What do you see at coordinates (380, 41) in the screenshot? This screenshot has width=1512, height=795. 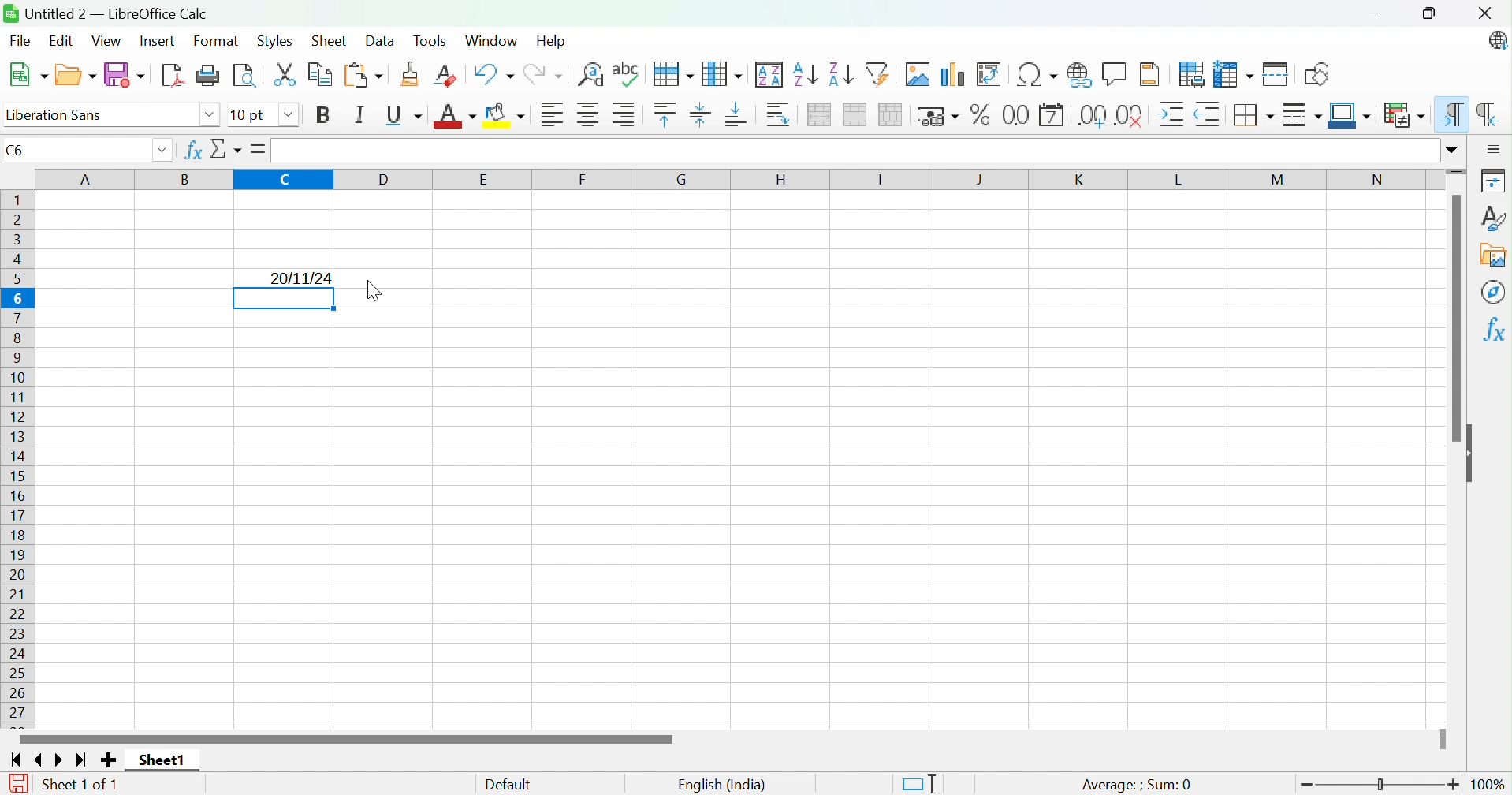 I see `Data` at bounding box center [380, 41].